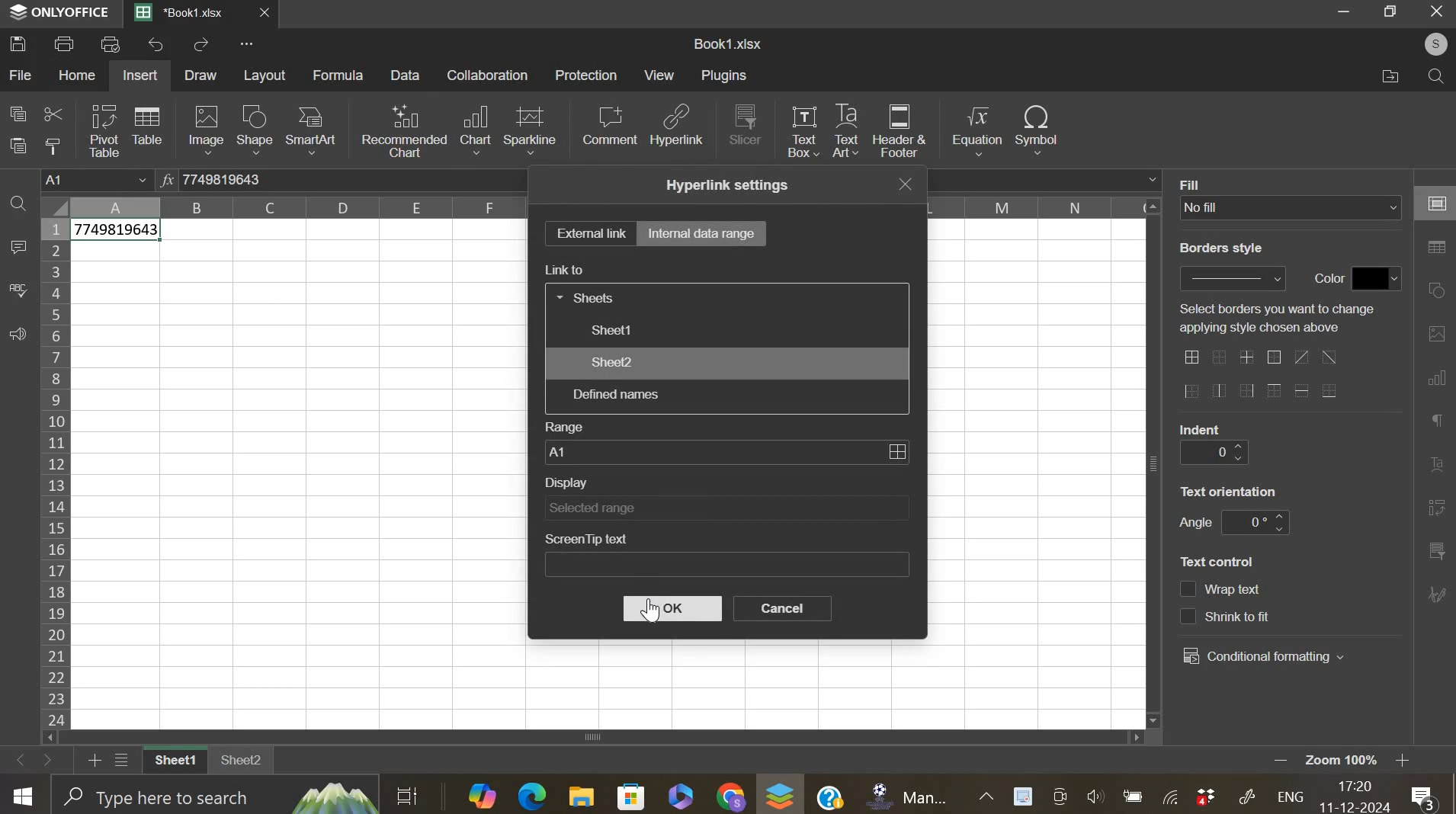 This screenshot has width=1456, height=814. I want to click on Maximize, so click(1393, 11).